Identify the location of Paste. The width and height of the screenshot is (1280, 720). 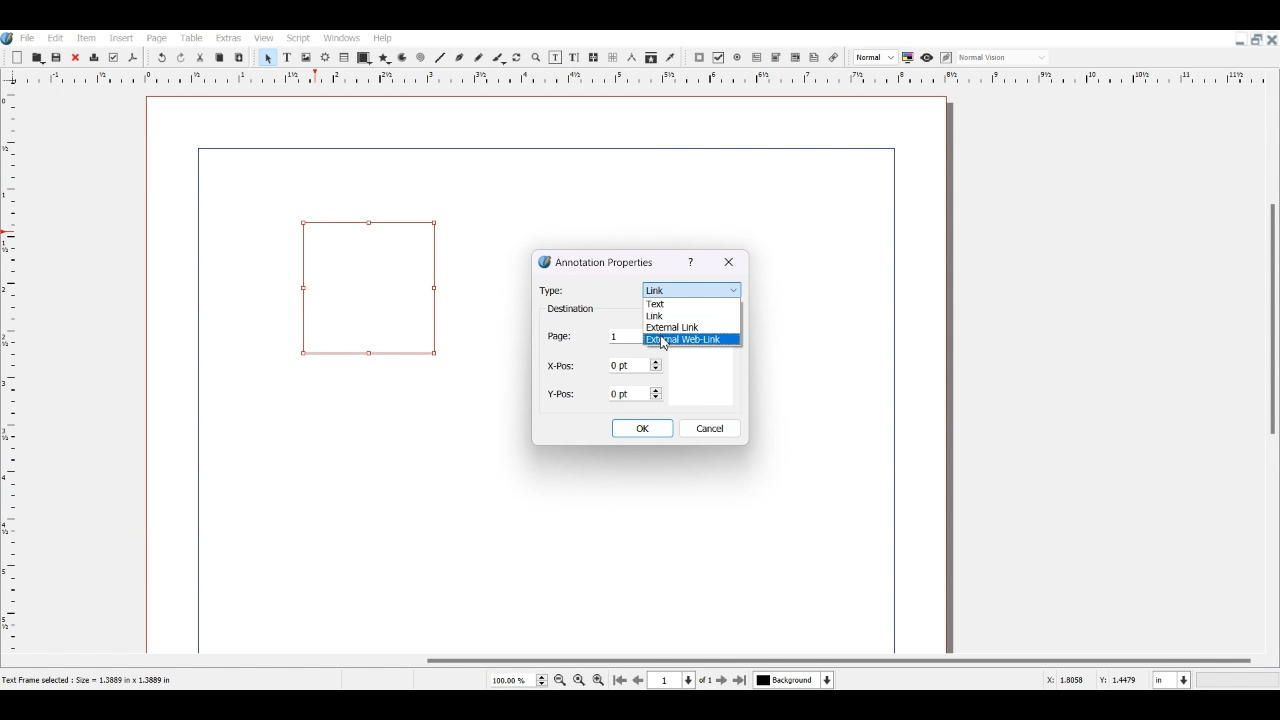
(239, 57).